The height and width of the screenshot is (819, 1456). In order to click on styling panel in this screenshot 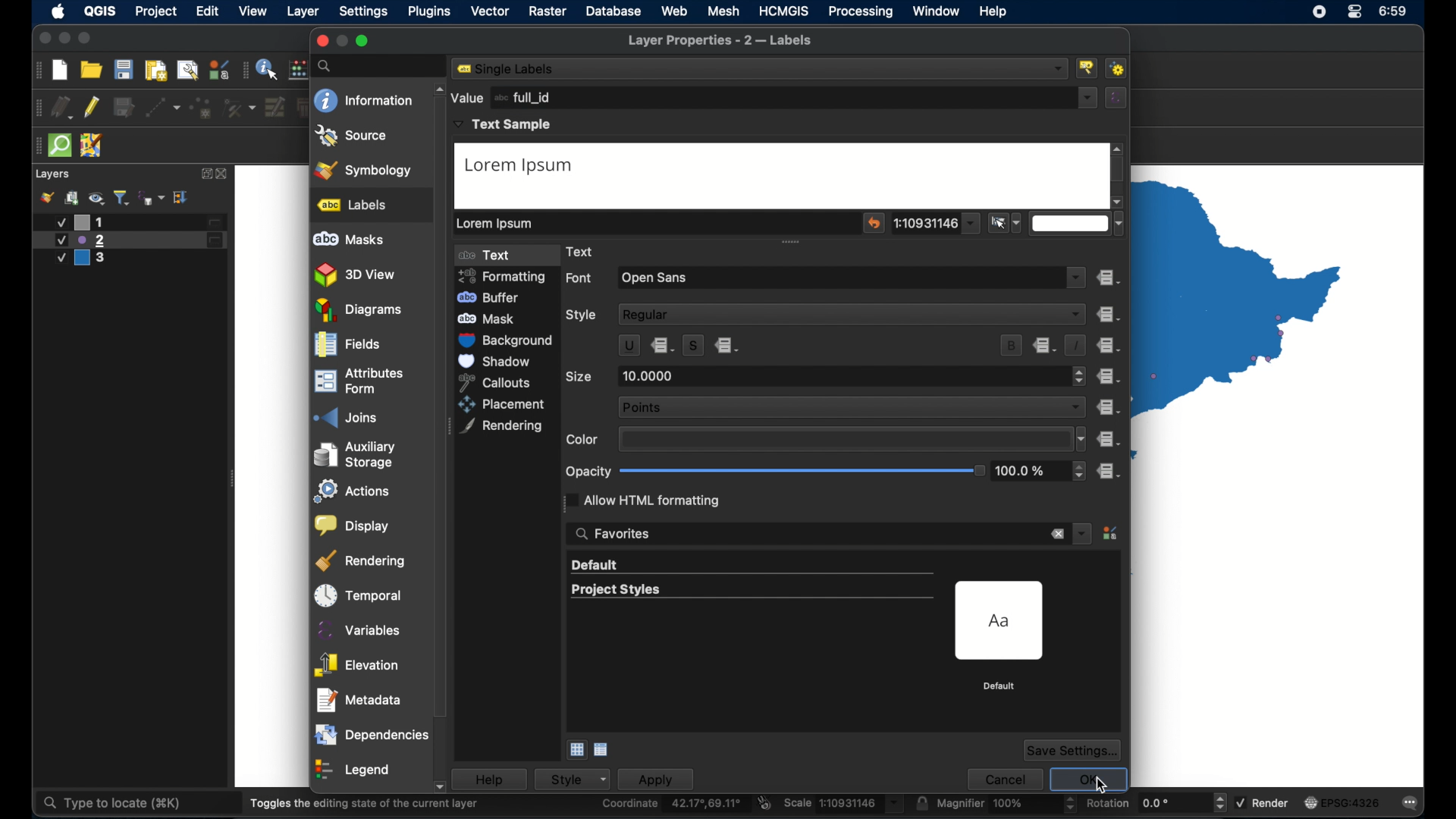, I will do `click(46, 197)`.